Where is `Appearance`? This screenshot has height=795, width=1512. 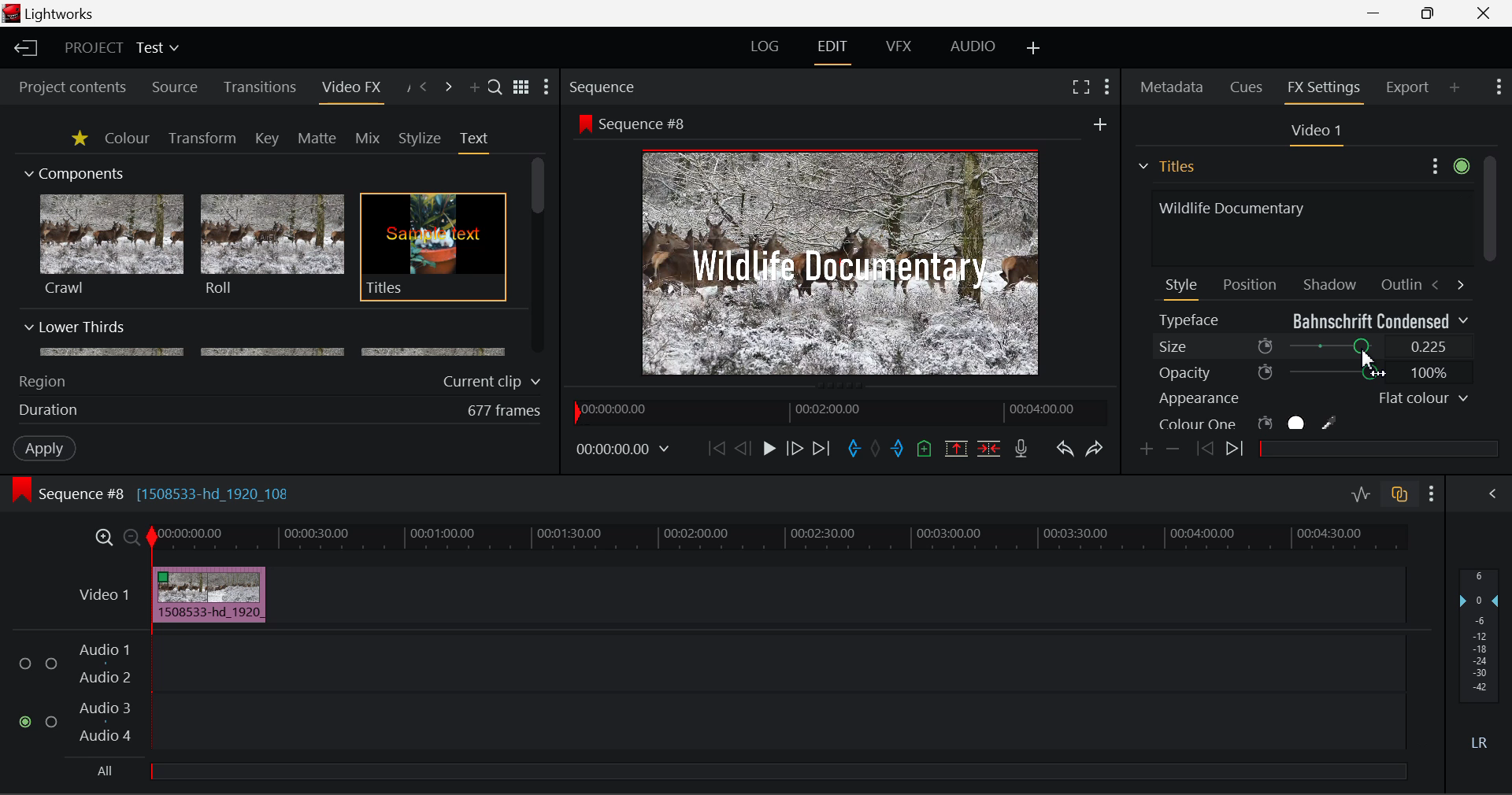 Appearance is located at coordinates (1312, 398).